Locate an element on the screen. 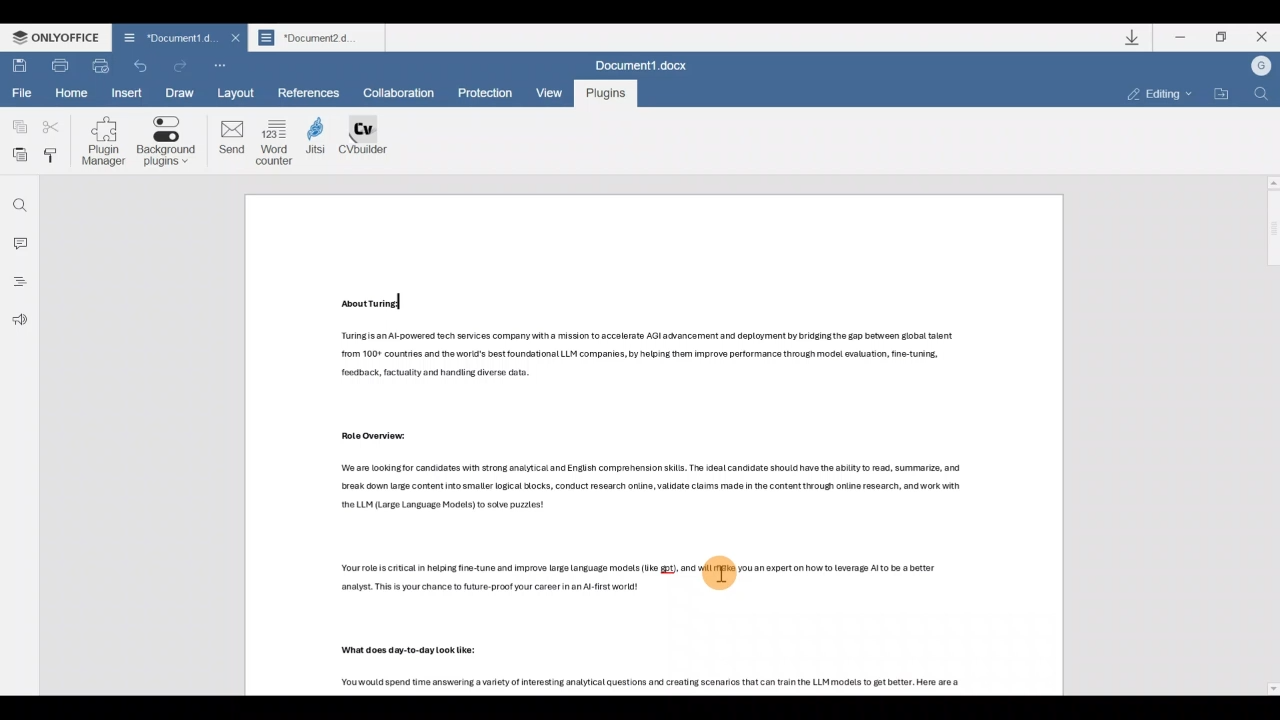  Headings is located at coordinates (18, 285).